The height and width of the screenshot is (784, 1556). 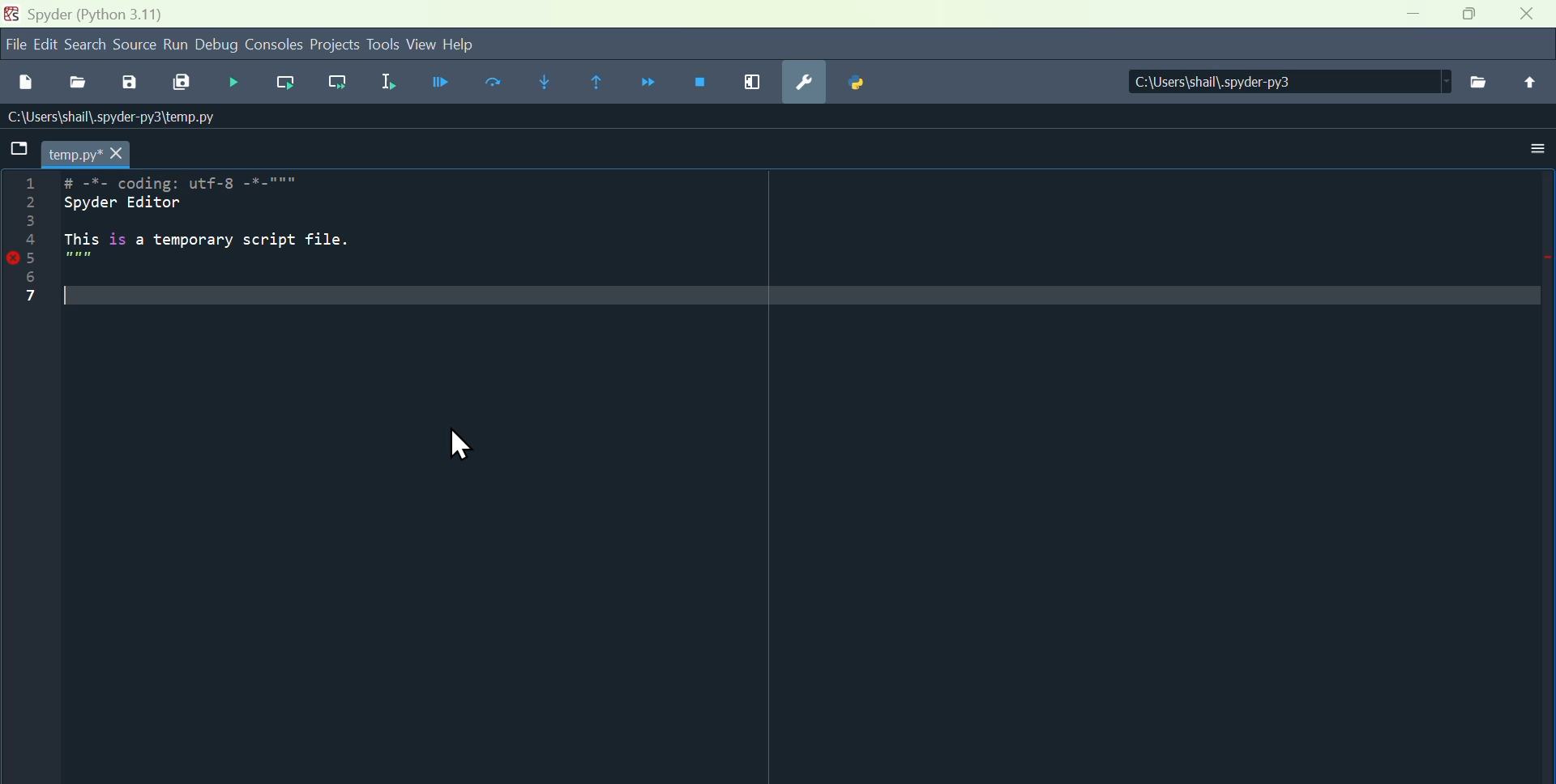 I want to click on spyder (Python 3.11), so click(x=106, y=14).